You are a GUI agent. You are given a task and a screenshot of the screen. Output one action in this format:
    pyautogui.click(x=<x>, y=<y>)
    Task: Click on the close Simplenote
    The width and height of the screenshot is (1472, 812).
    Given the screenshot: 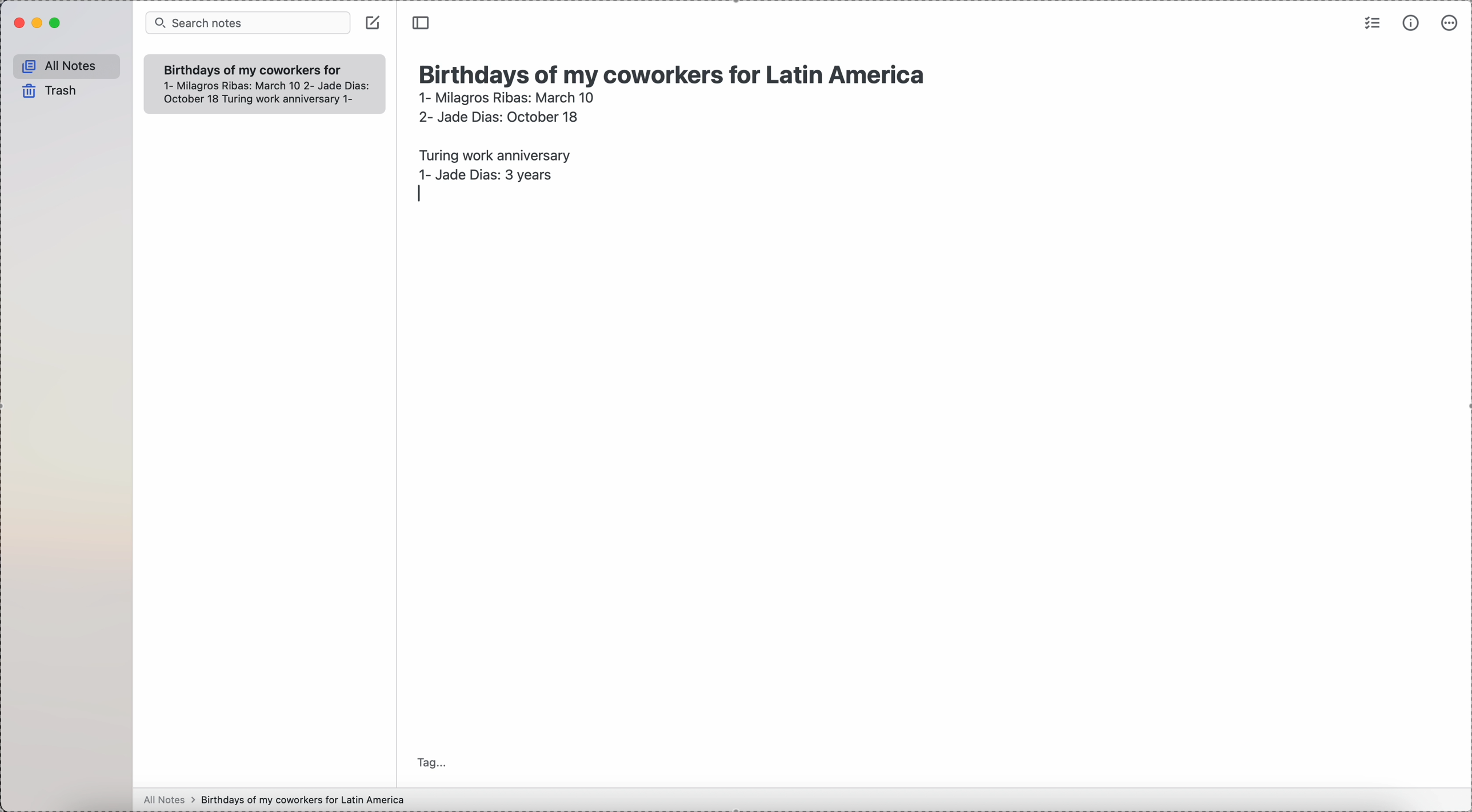 What is the action you would take?
    pyautogui.click(x=18, y=23)
    